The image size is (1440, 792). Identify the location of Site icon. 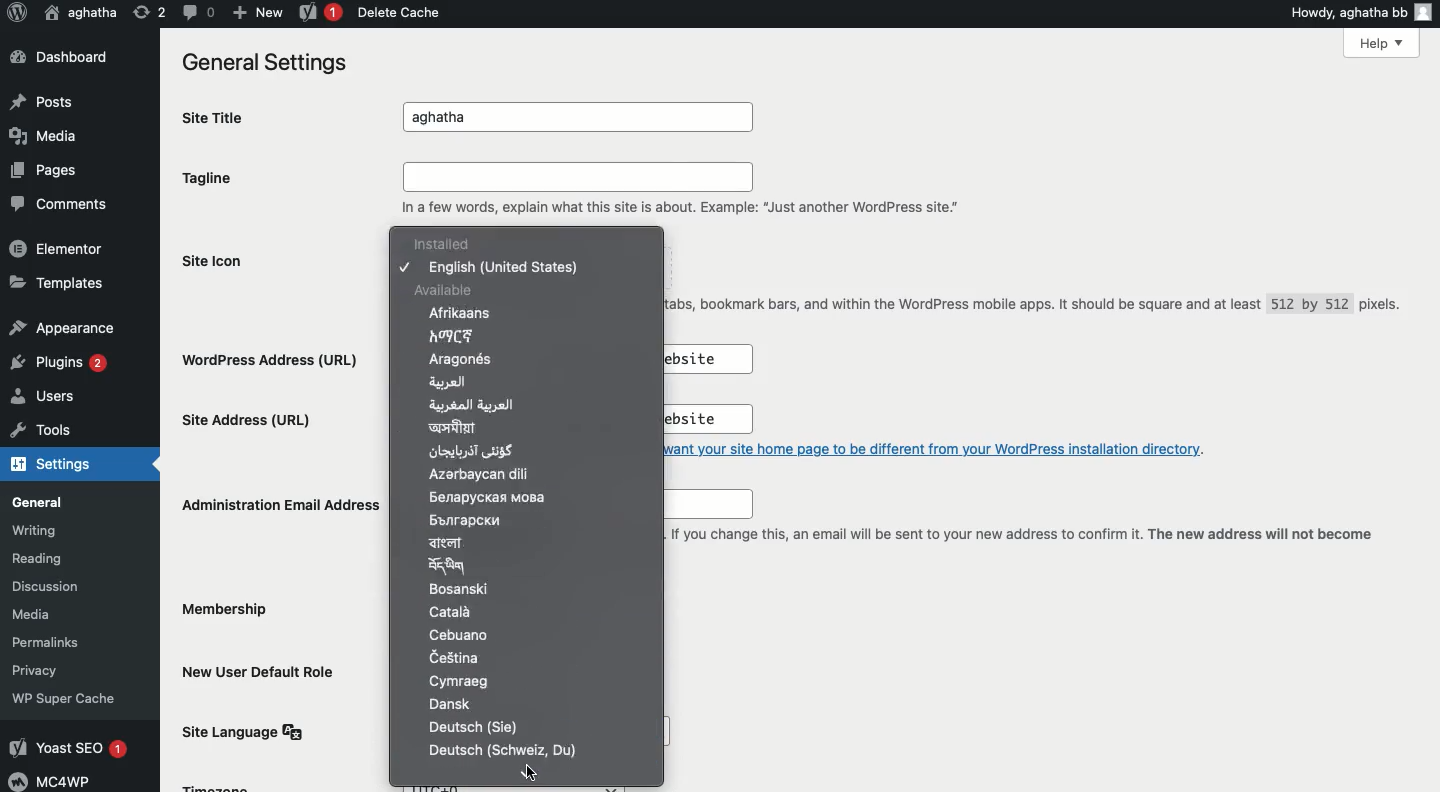
(219, 261).